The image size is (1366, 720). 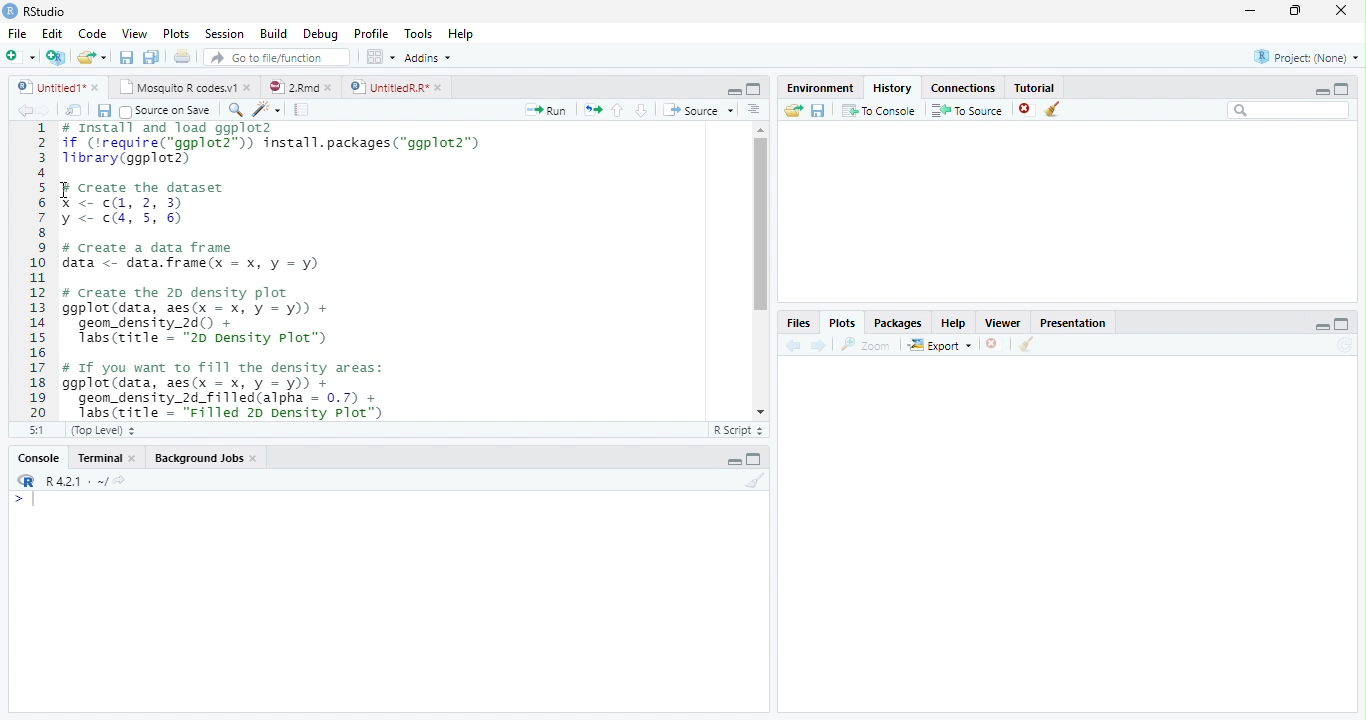 I want to click on clear, so click(x=1053, y=110).